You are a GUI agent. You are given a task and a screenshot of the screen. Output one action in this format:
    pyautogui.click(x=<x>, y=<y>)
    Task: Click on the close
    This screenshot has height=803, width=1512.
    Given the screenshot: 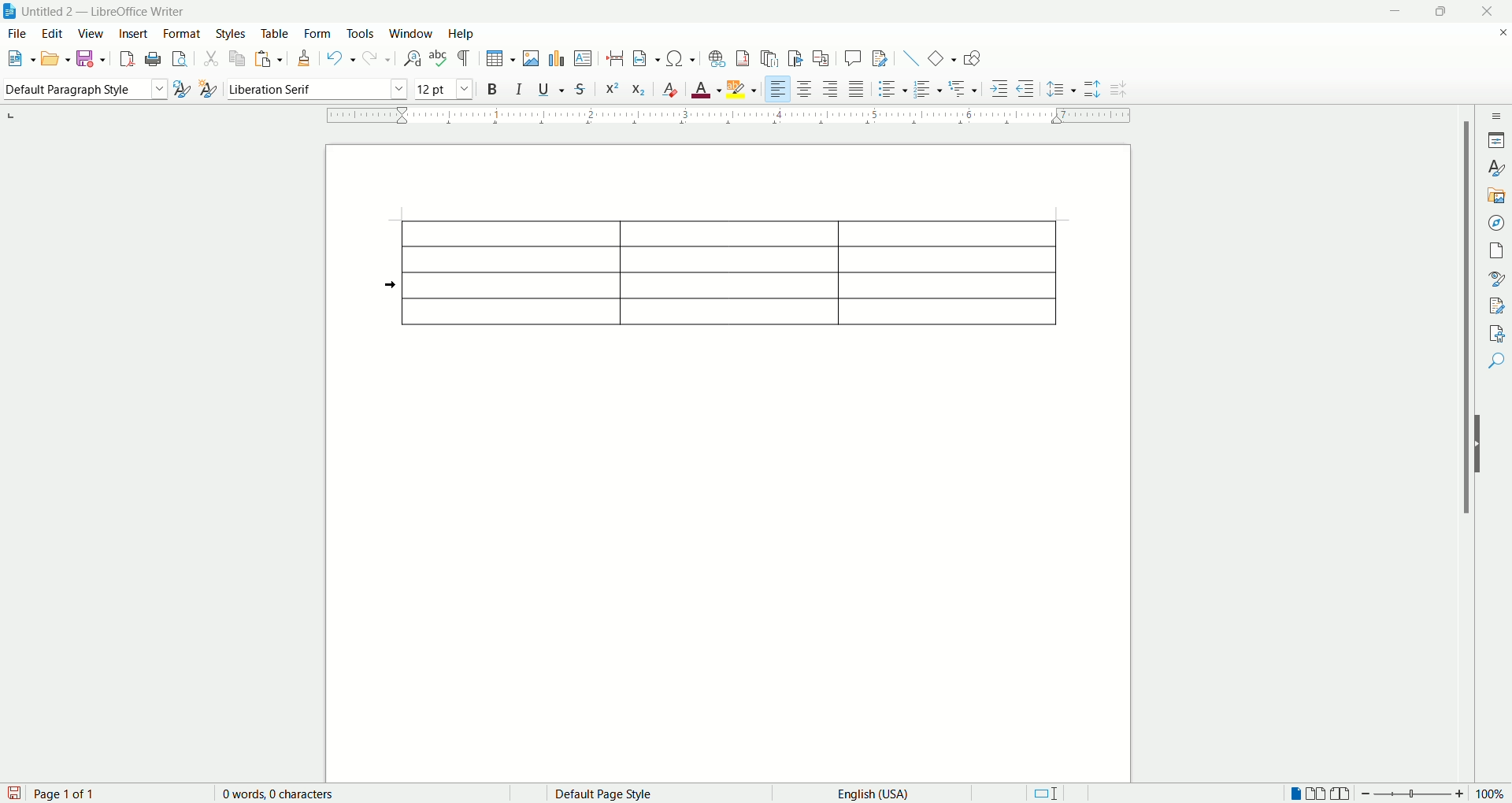 What is the action you would take?
    pyautogui.click(x=1499, y=33)
    